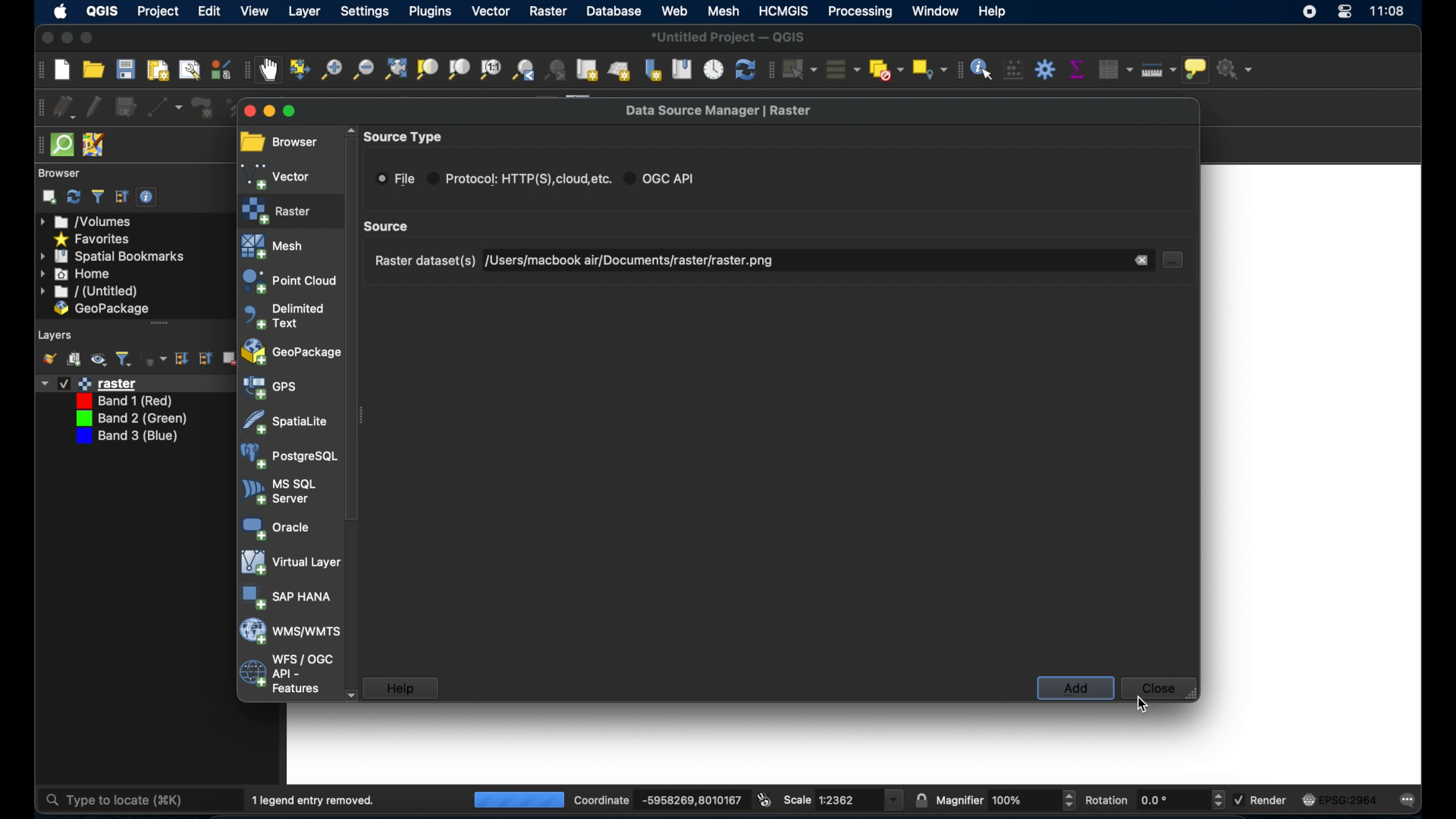  What do you see at coordinates (289, 456) in the screenshot?
I see `postgresql` at bounding box center [289, 456].